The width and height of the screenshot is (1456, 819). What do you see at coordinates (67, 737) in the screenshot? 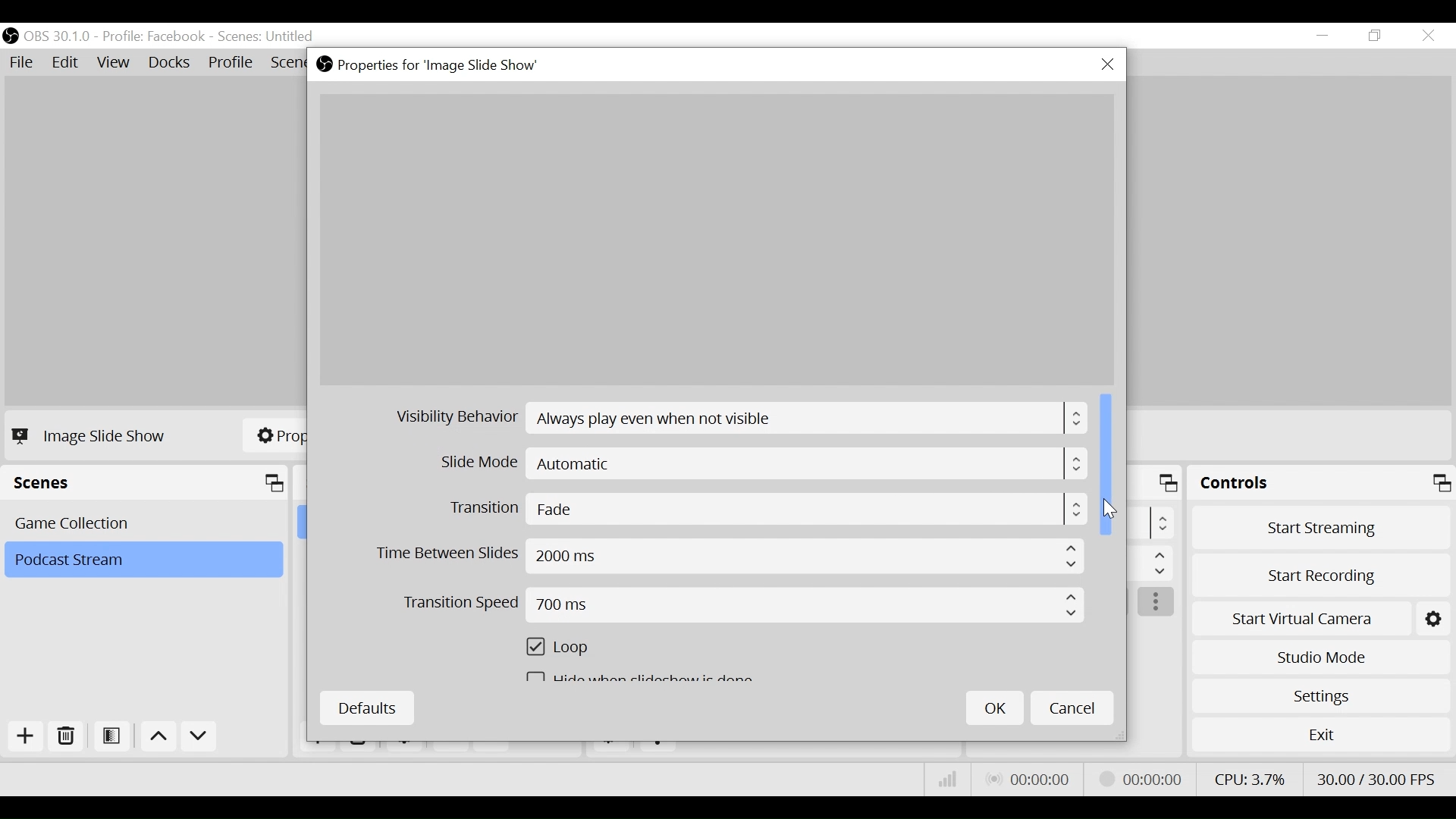
I see `Remove` at bounding box center [67, 737].